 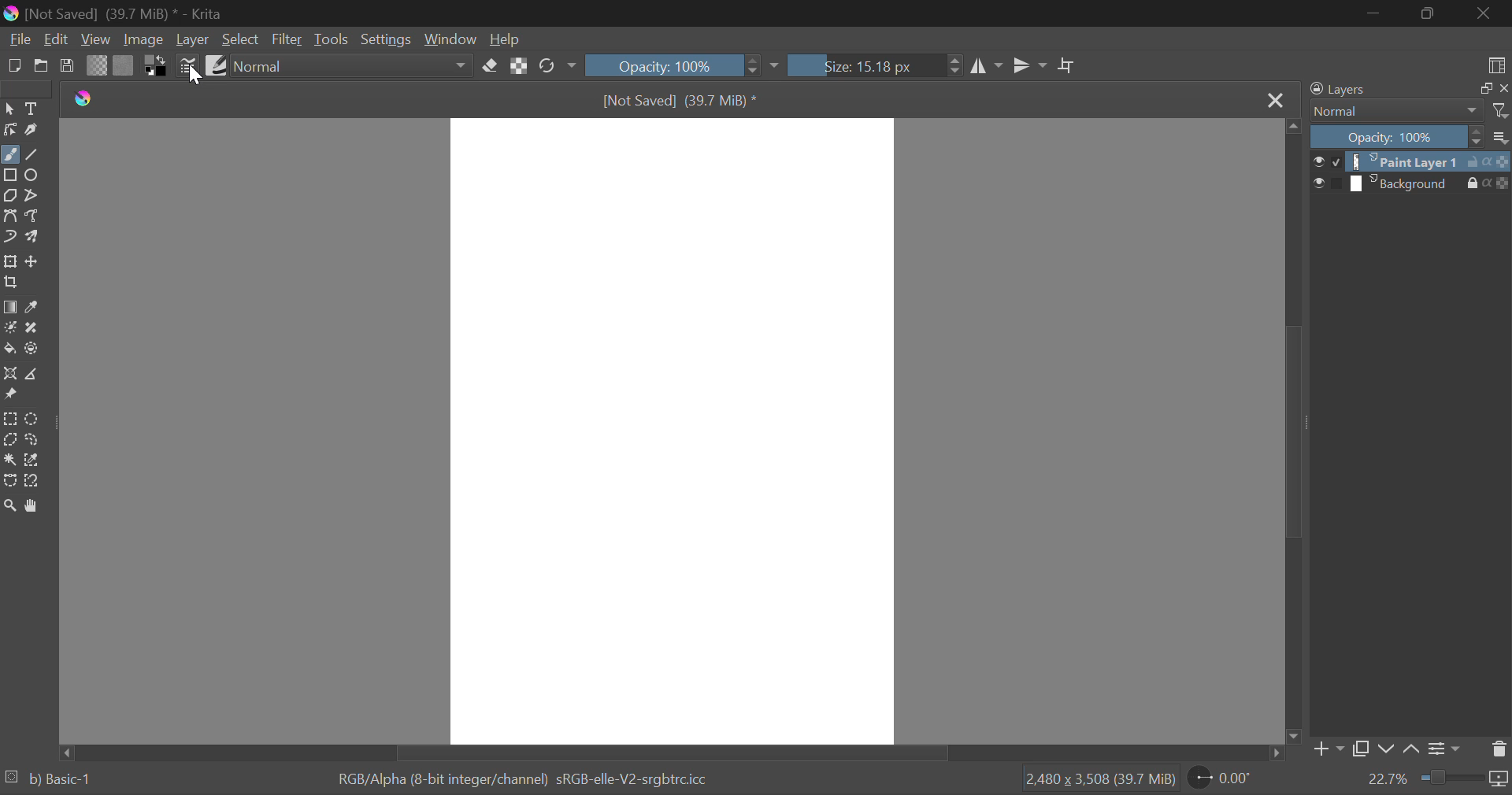 What do you see at coordinates (1100, 782) in the screenshot?
I see `2,480 x 3,508 (39.7 MB)` at bounding box center [1100, 782].